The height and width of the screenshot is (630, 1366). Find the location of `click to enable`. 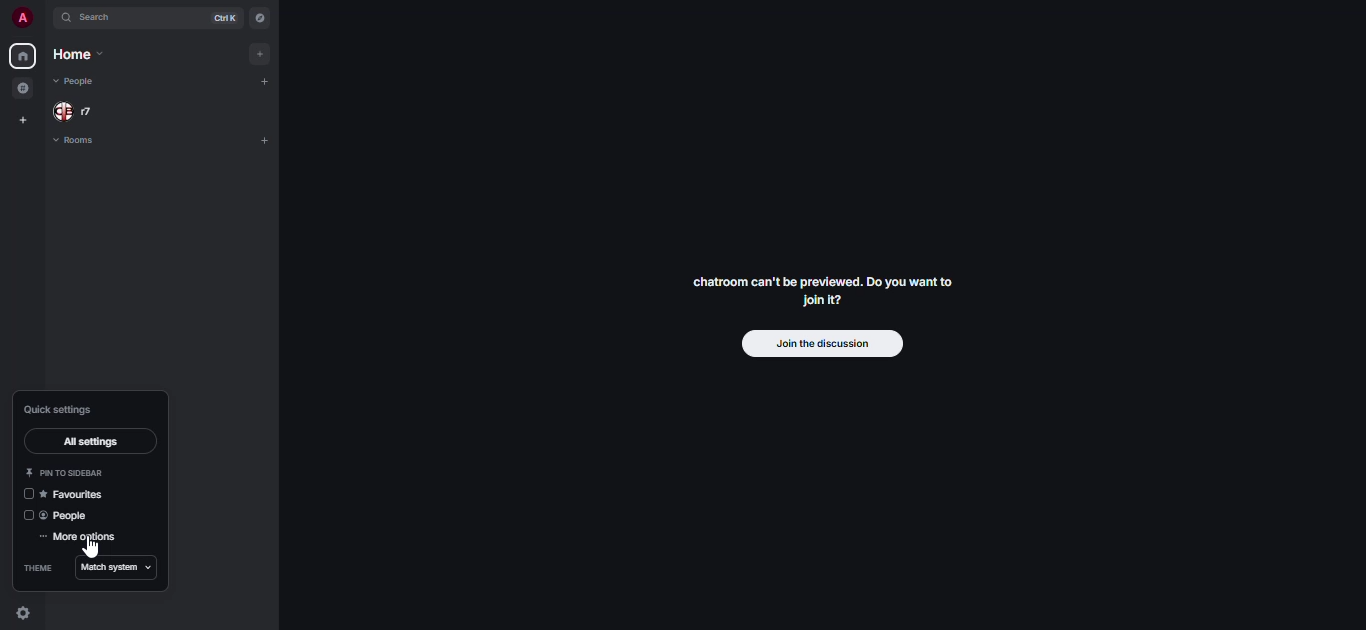

click to enable is located at coordinates (23, 496).